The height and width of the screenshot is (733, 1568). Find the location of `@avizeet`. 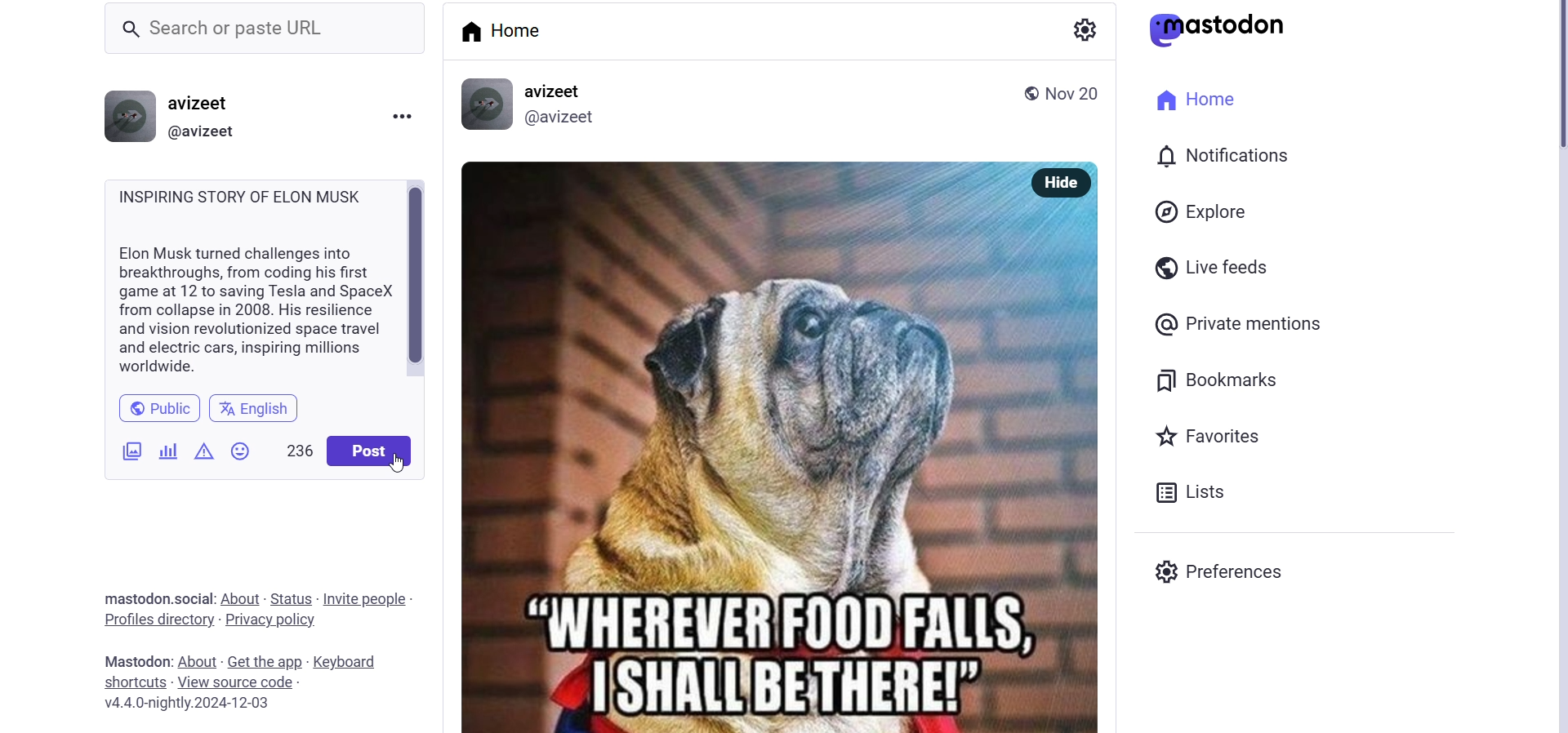

@avizeet is located at coordinates (565, 118).